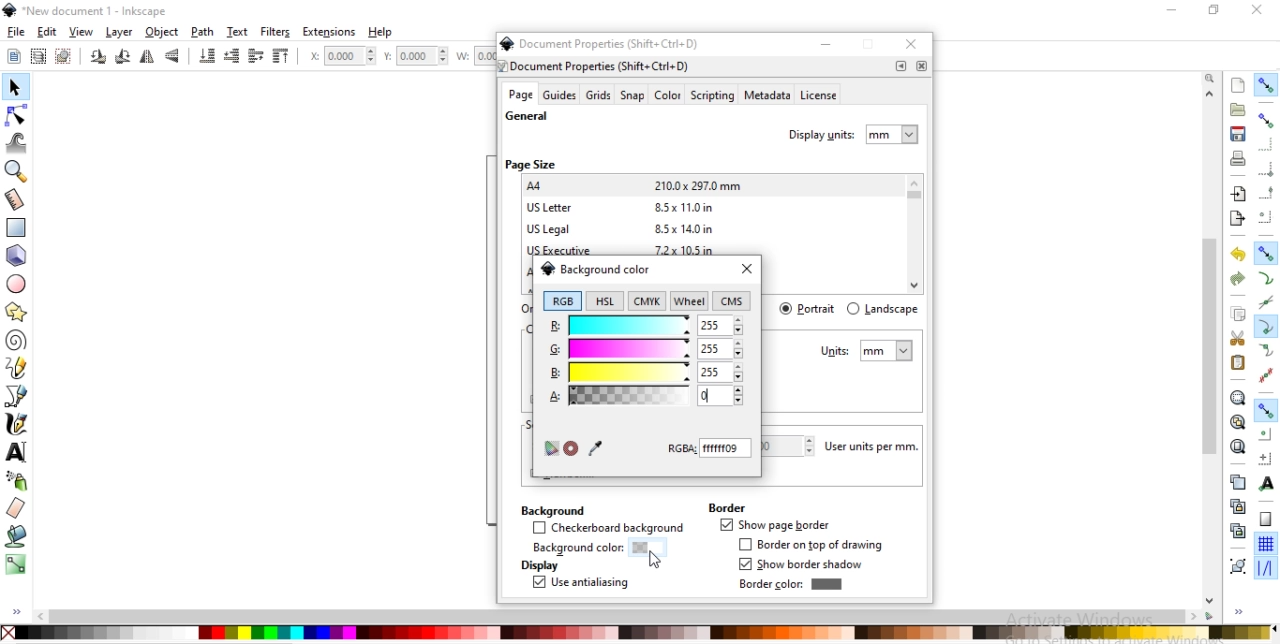 The height and width of the screenshot is (644, 1280). I want to click on color managed, so click(550, 449).